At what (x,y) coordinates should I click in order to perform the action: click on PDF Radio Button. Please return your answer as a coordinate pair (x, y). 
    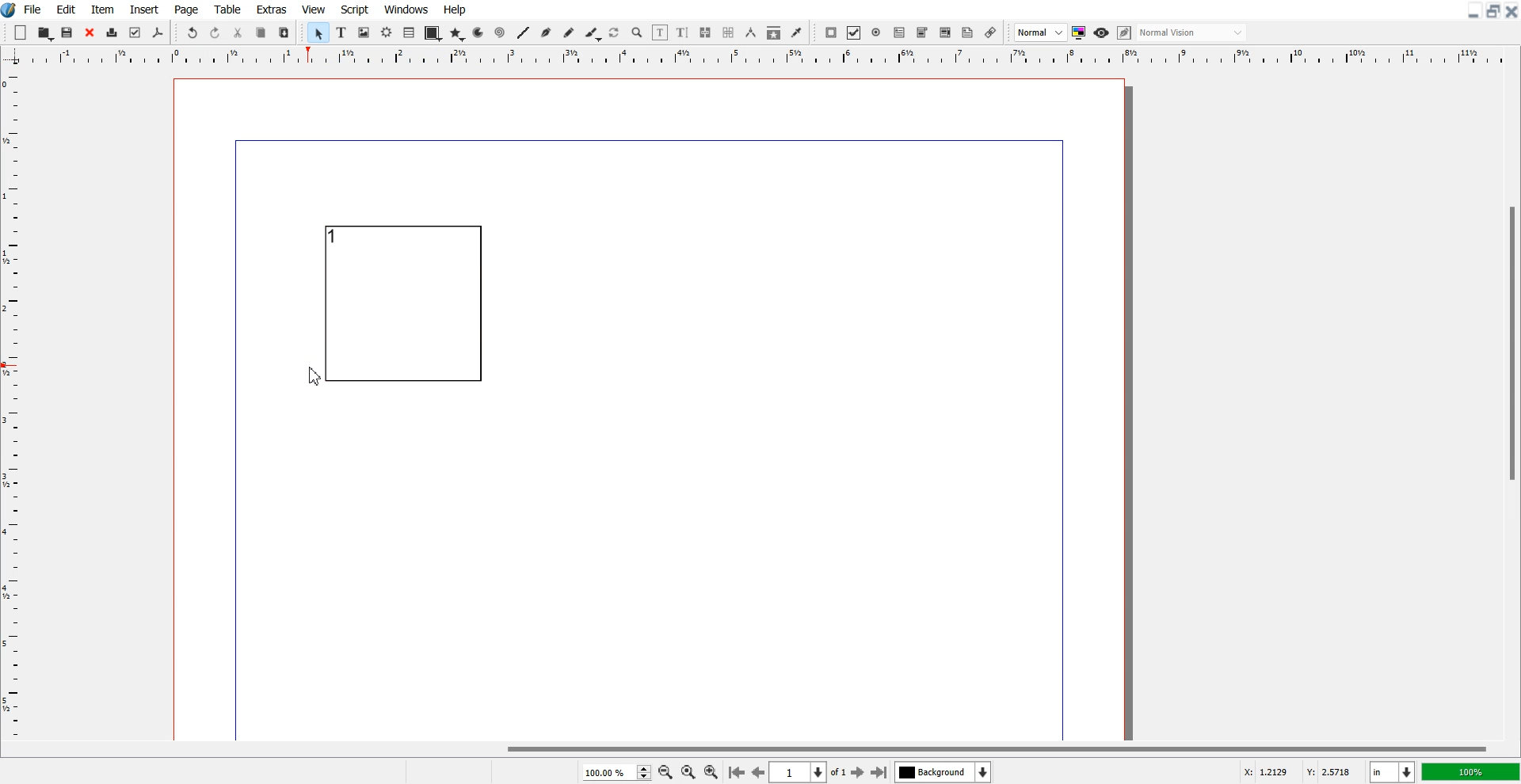
    Looking at the image, I should click on (877, 32).